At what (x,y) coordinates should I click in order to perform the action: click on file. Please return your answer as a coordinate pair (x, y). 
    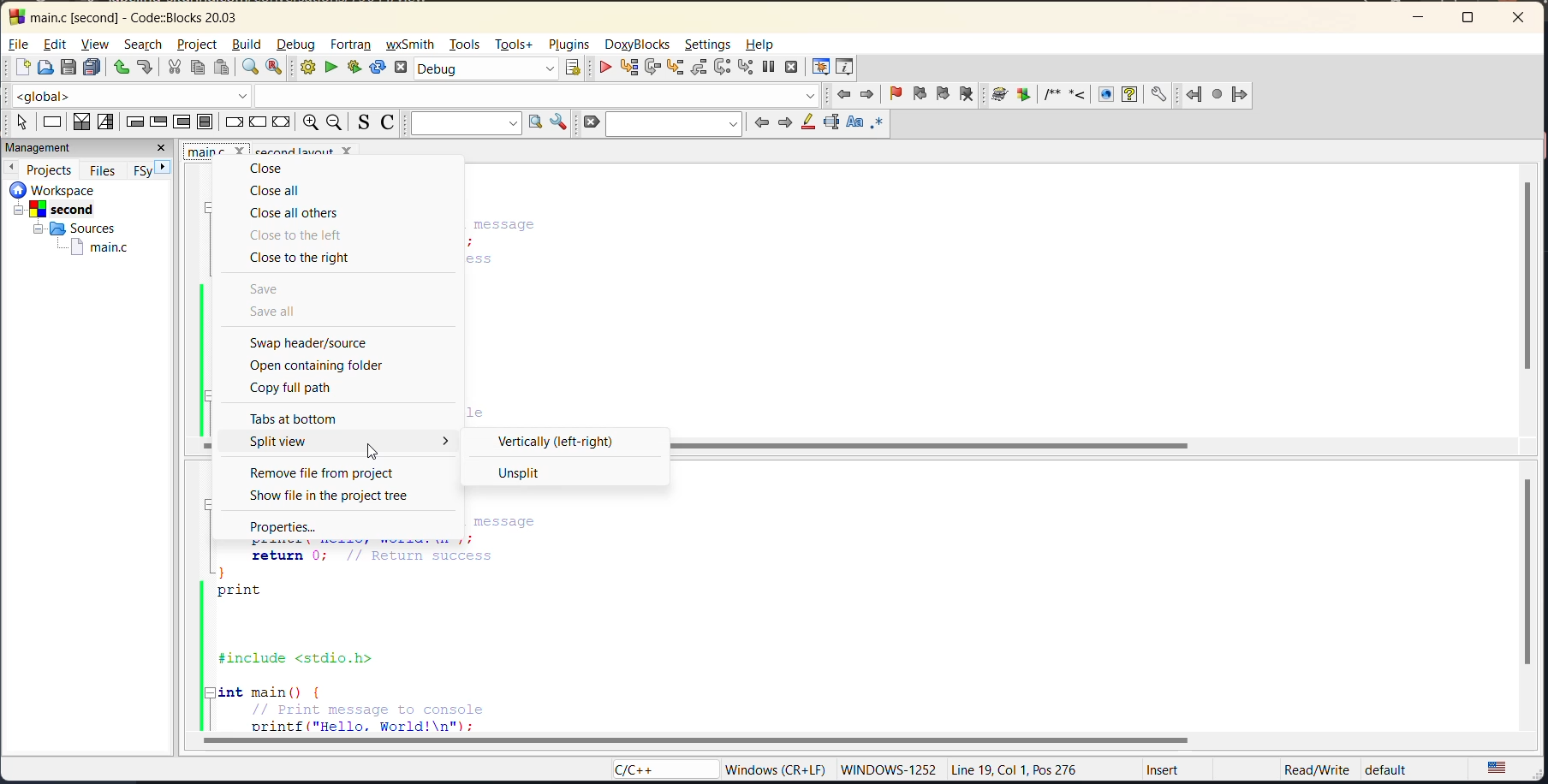
    Looking at the image, I should click on (17, 44).